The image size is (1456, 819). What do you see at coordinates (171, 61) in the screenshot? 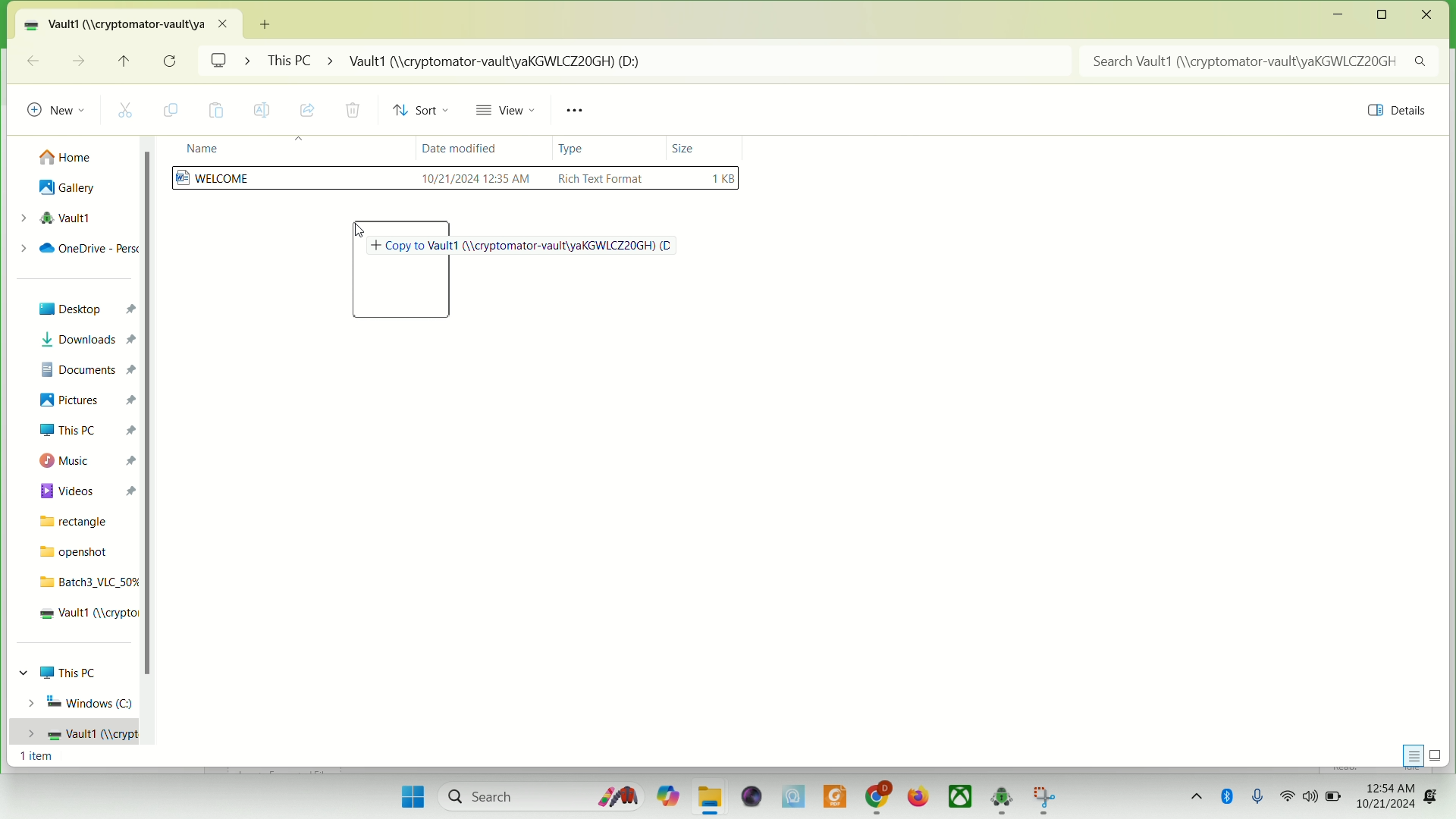
I see `refresh` at bounding box center [171, 61].